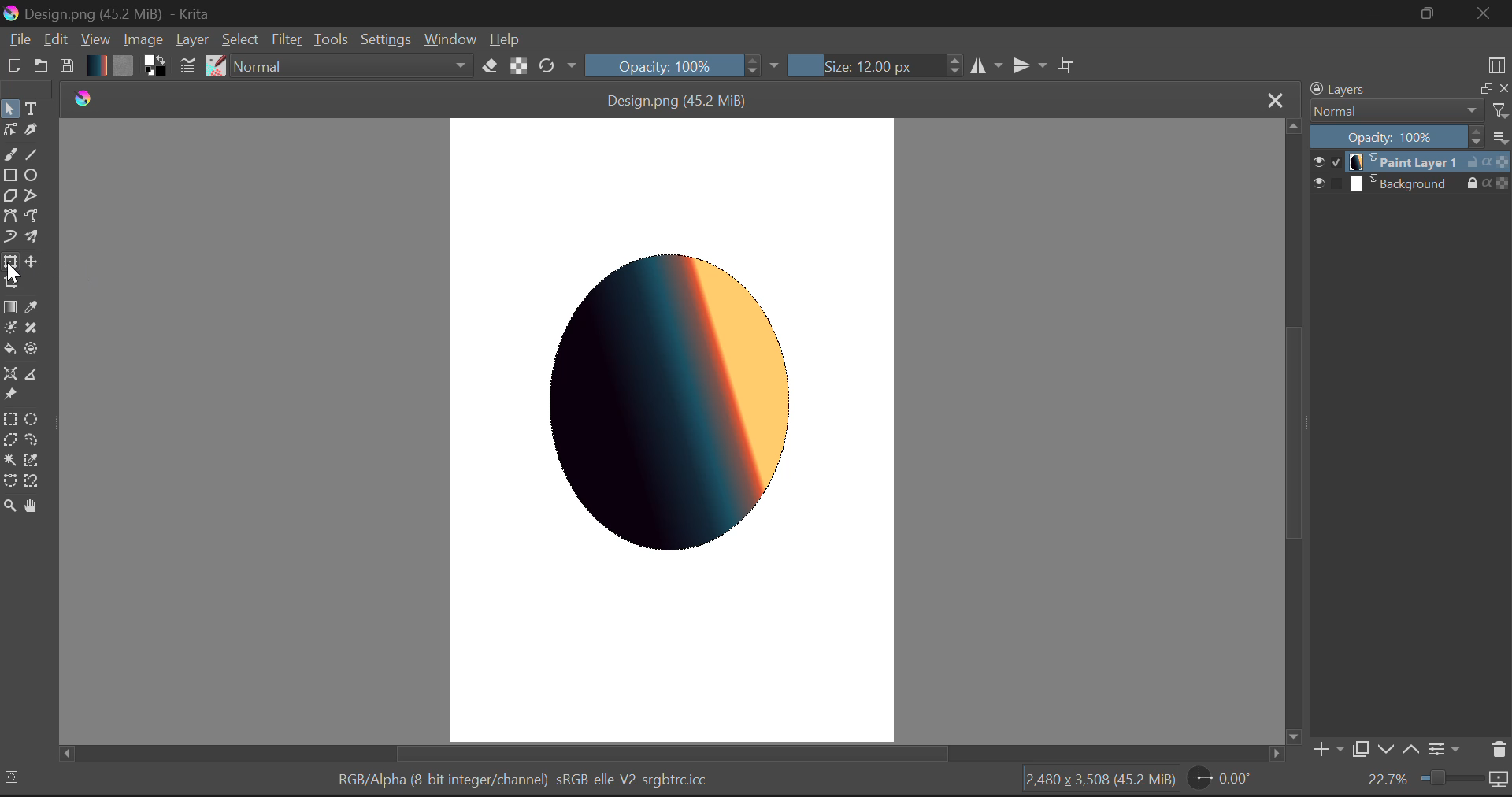 This screenshot has height=797, width=1512. What do you see at coordinates (353, 65) in the screenshot?
I see `Blending Mode` at bounding box center [353, 65].